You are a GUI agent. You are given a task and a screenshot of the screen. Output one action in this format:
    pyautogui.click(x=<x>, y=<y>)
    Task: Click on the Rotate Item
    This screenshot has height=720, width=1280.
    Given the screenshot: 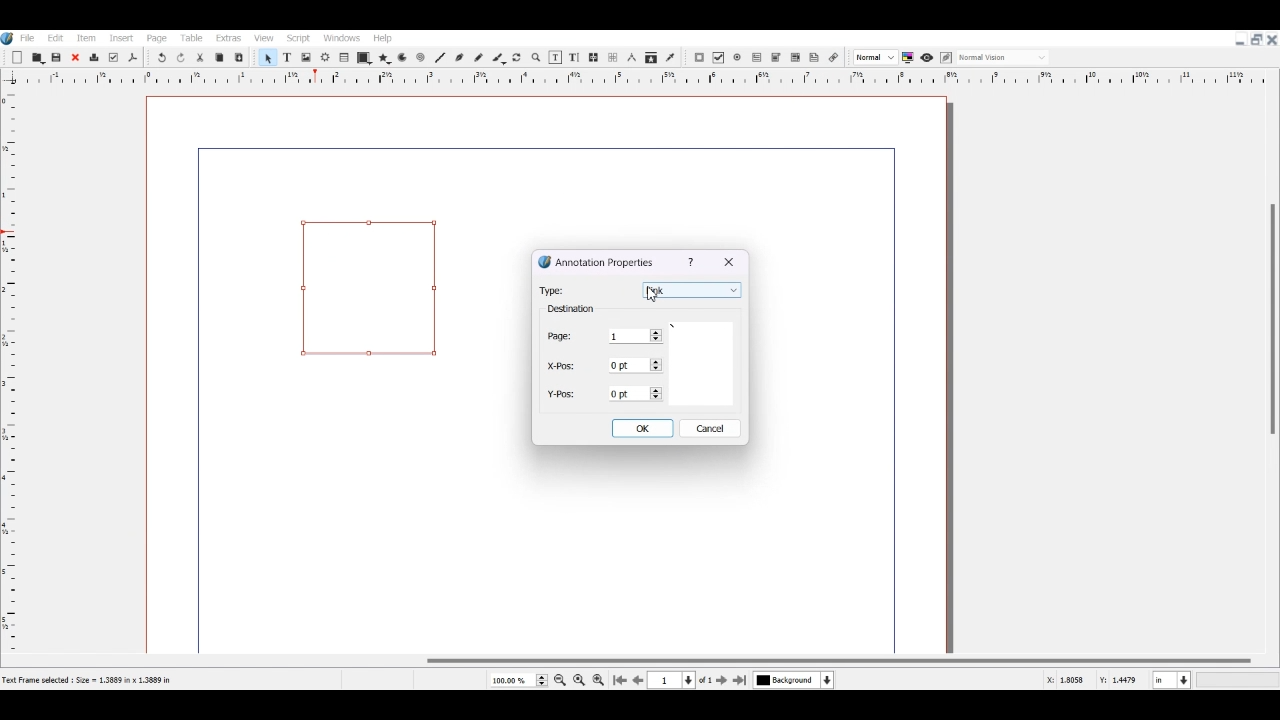 What is the action you would take?
    pyautogui.click(x=518, y=58)
    